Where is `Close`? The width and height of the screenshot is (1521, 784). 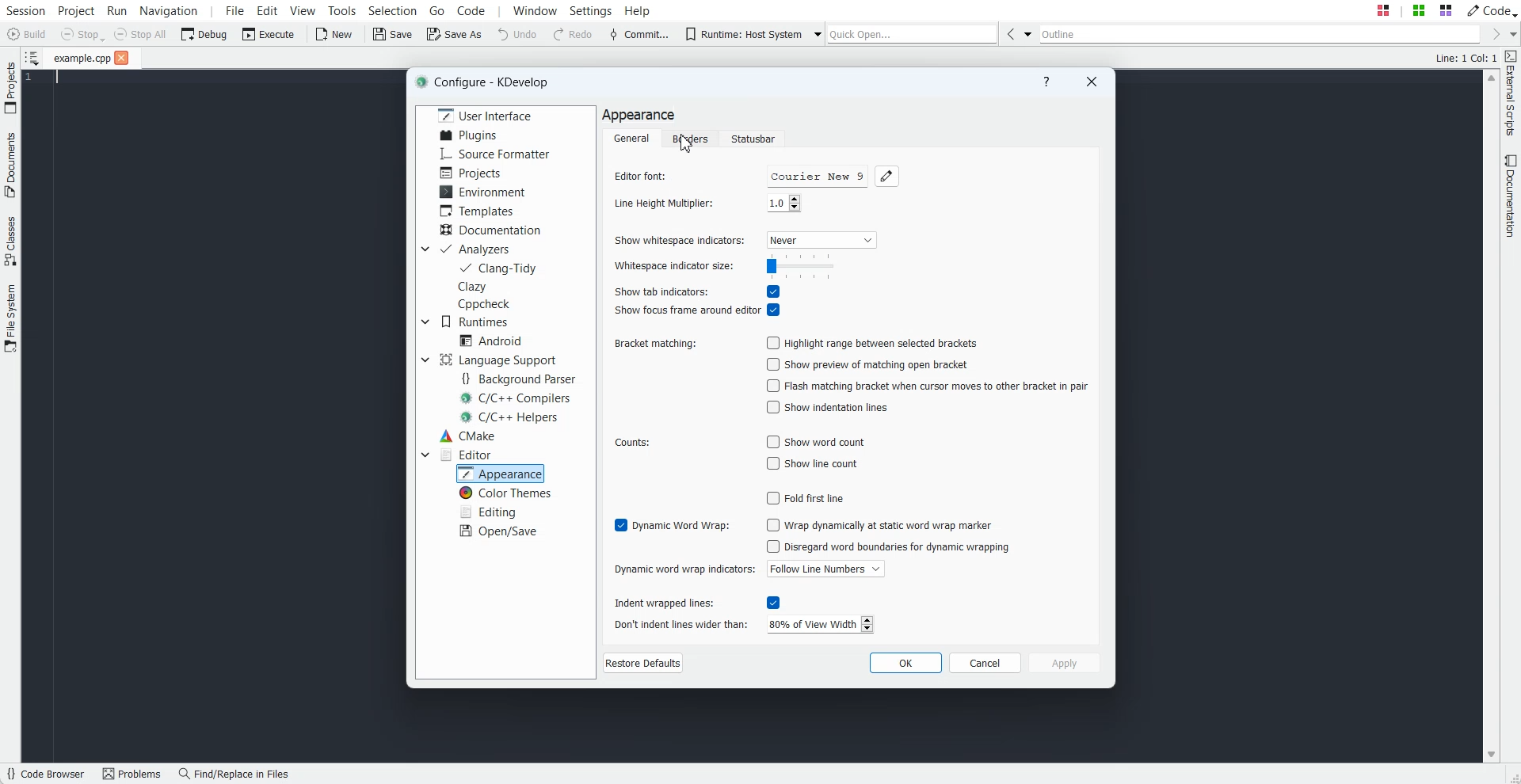 Close is located at coordinates (122, 57).